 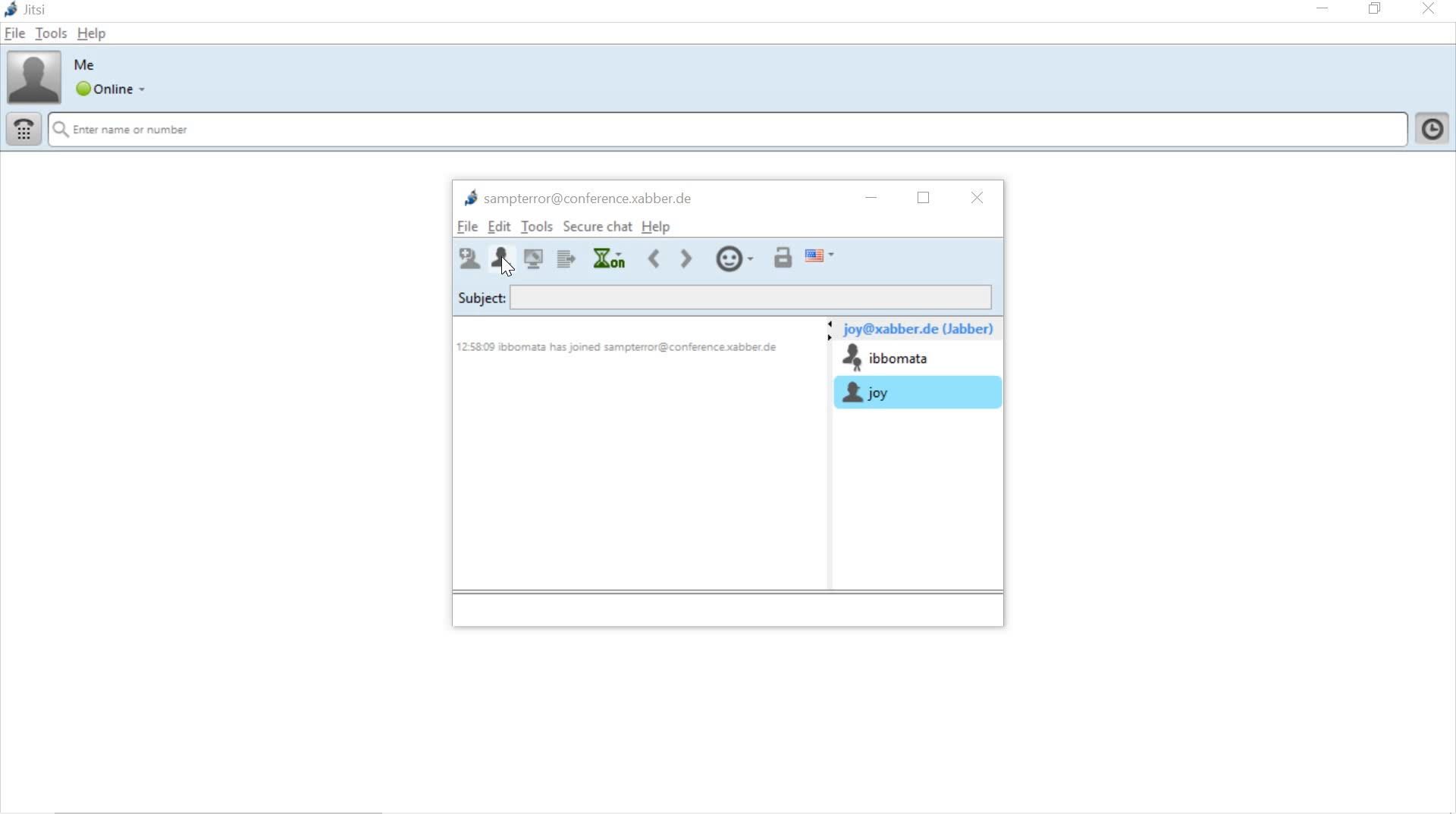 I want to click on history, so click(x=609, y=258).